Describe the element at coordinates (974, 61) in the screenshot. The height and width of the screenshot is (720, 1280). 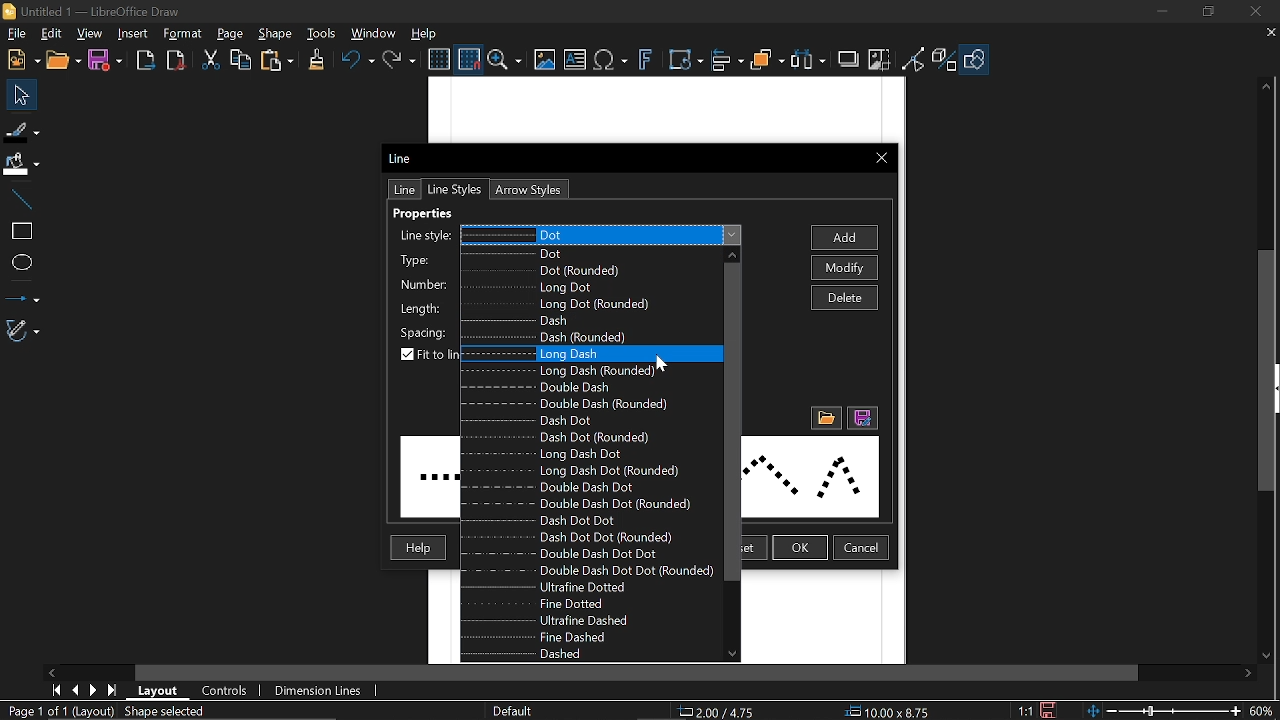
I see `Shapes` at that location.